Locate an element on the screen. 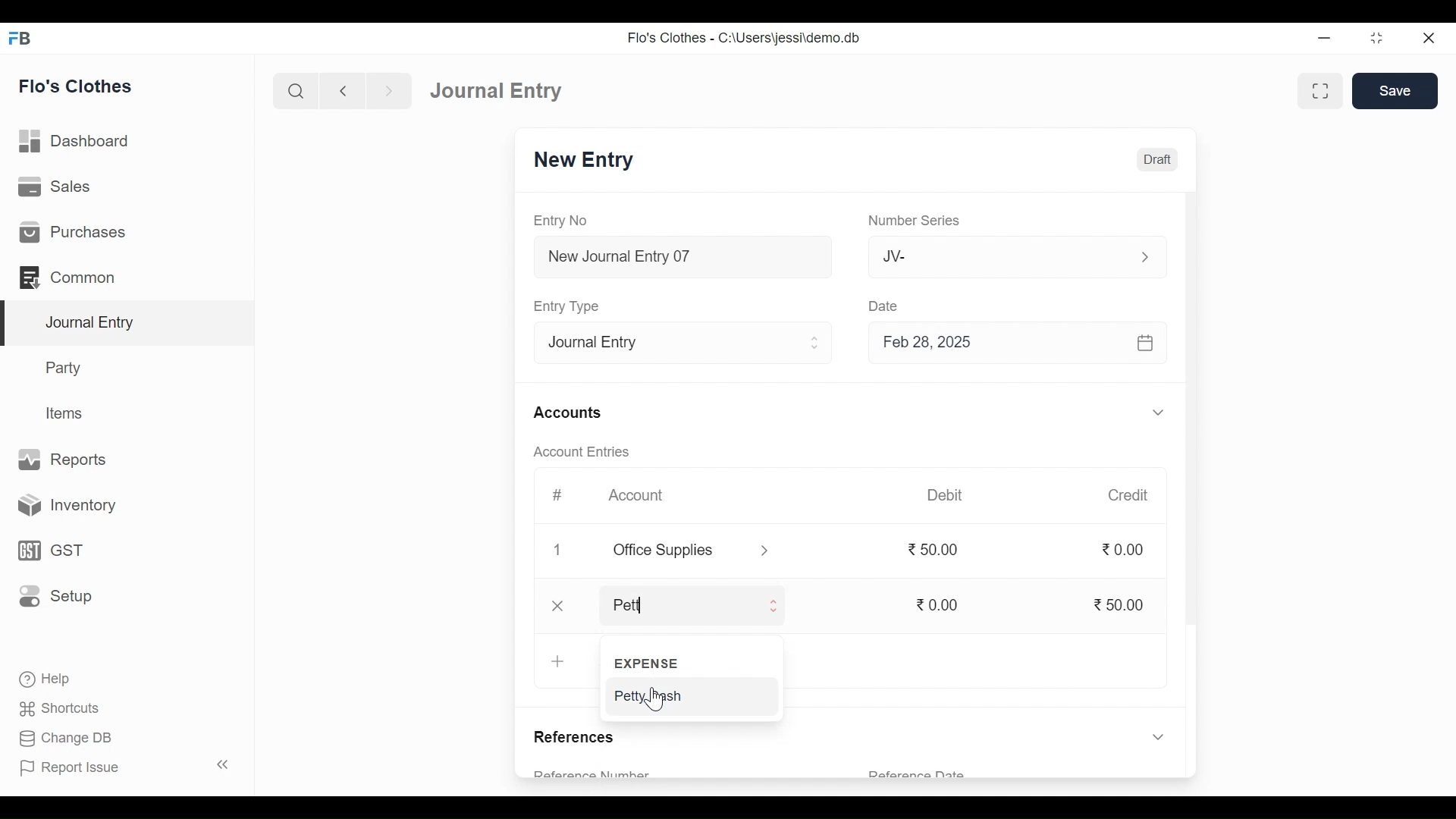  Account Entries is located at coordinates (581, 451).